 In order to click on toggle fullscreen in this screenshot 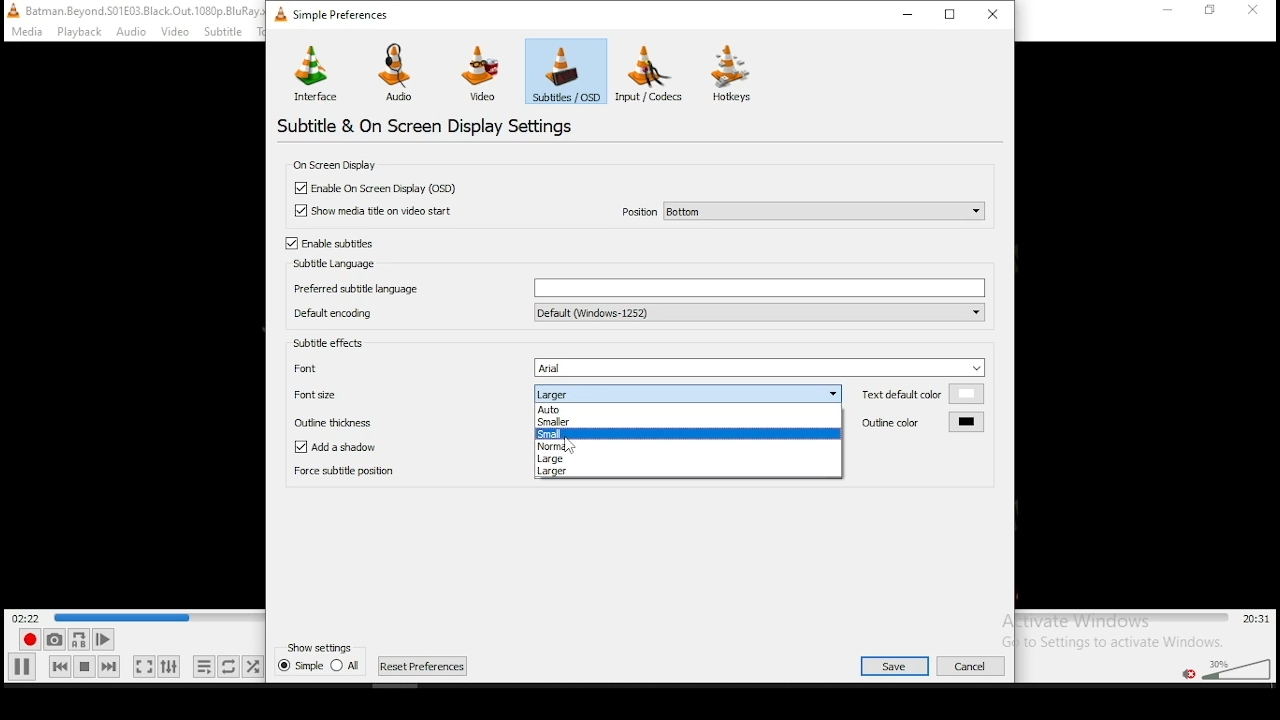, I will do `click(142, 666)`.